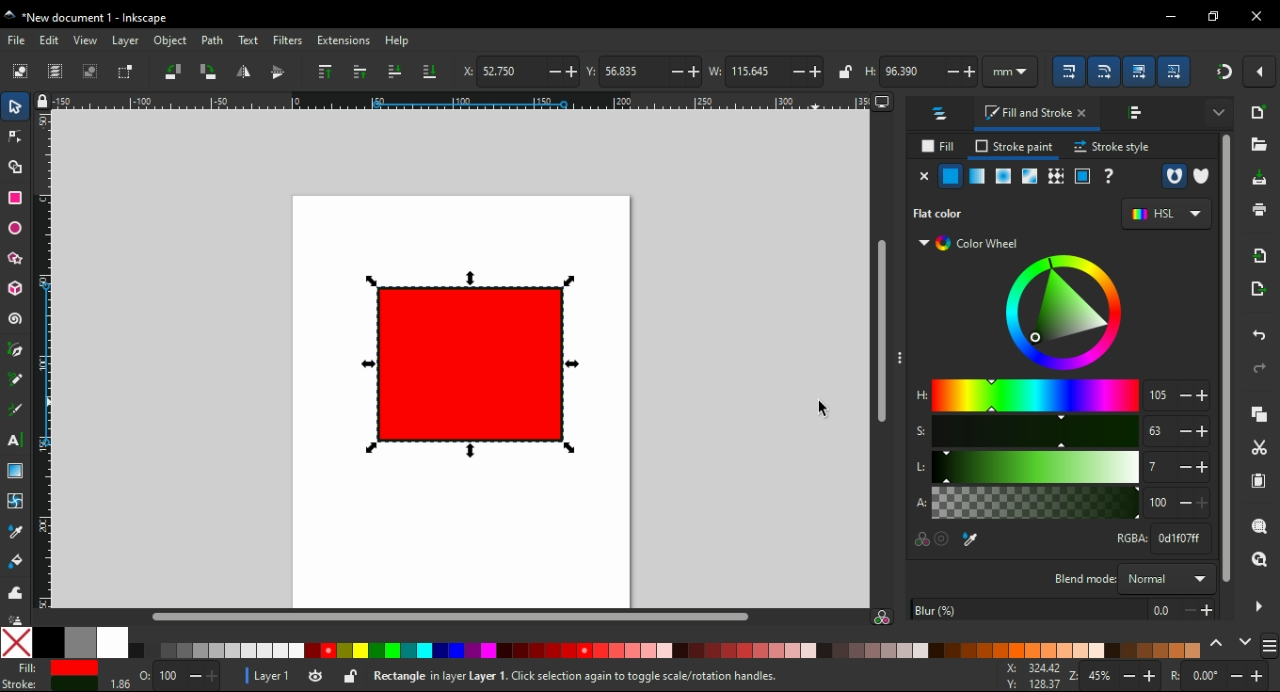 This screenshot has width=1280, height=692. I want to click on scroll bar, so click(877, 334).